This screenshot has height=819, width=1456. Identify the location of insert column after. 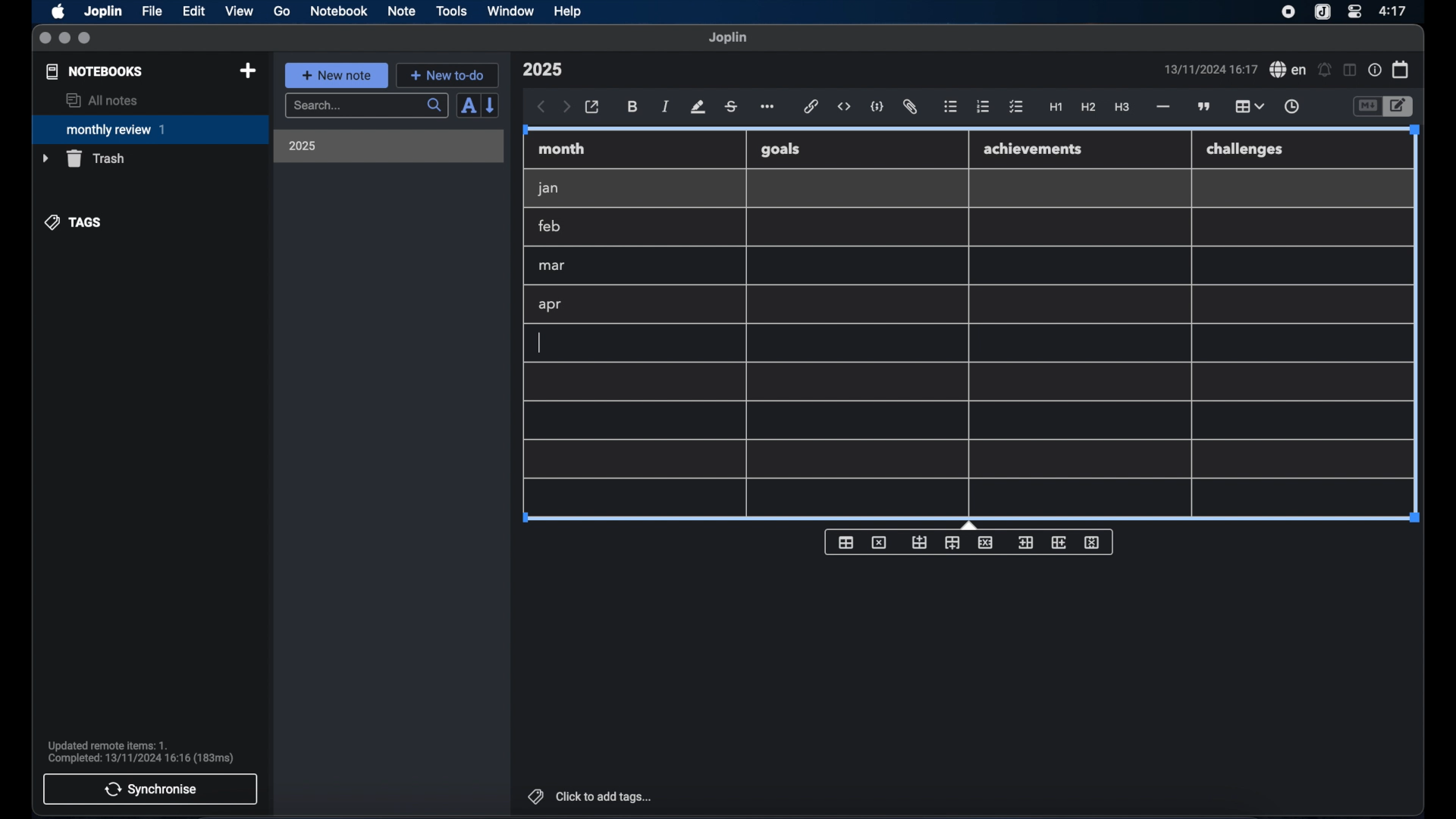
(1059, 542).